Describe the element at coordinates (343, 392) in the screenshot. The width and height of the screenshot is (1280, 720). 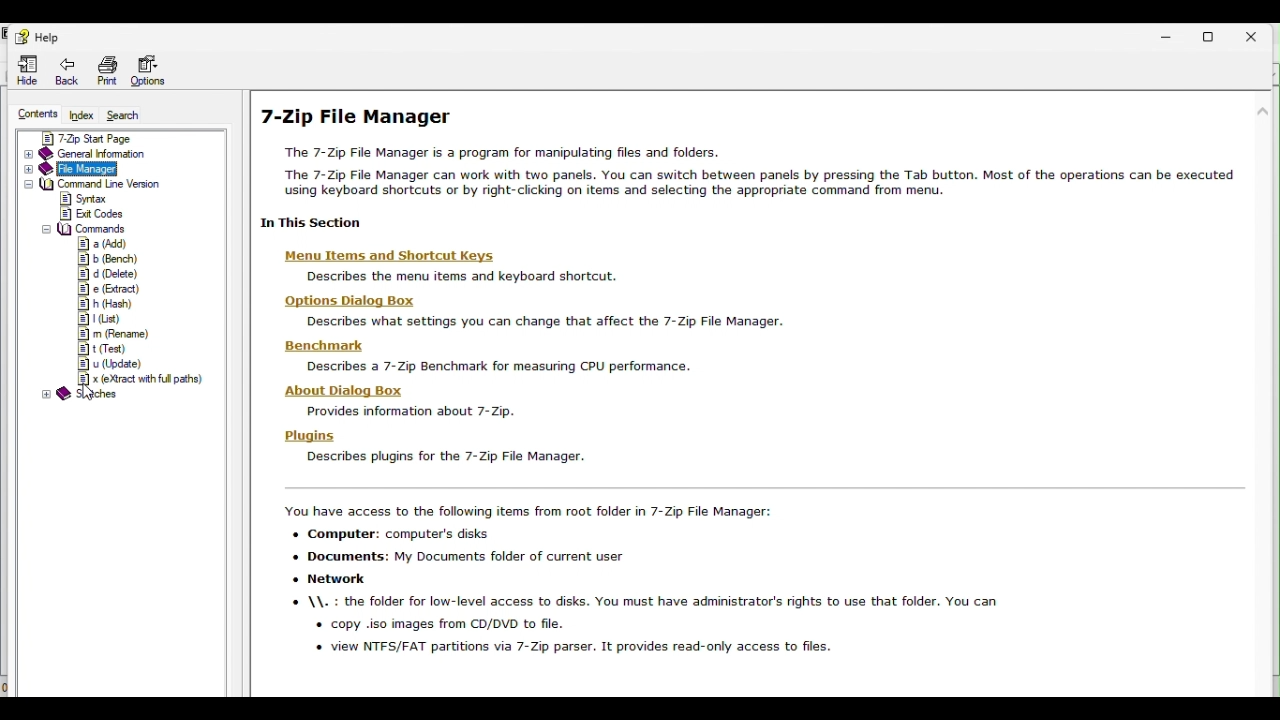
I see `About Dialog Box` at that location.